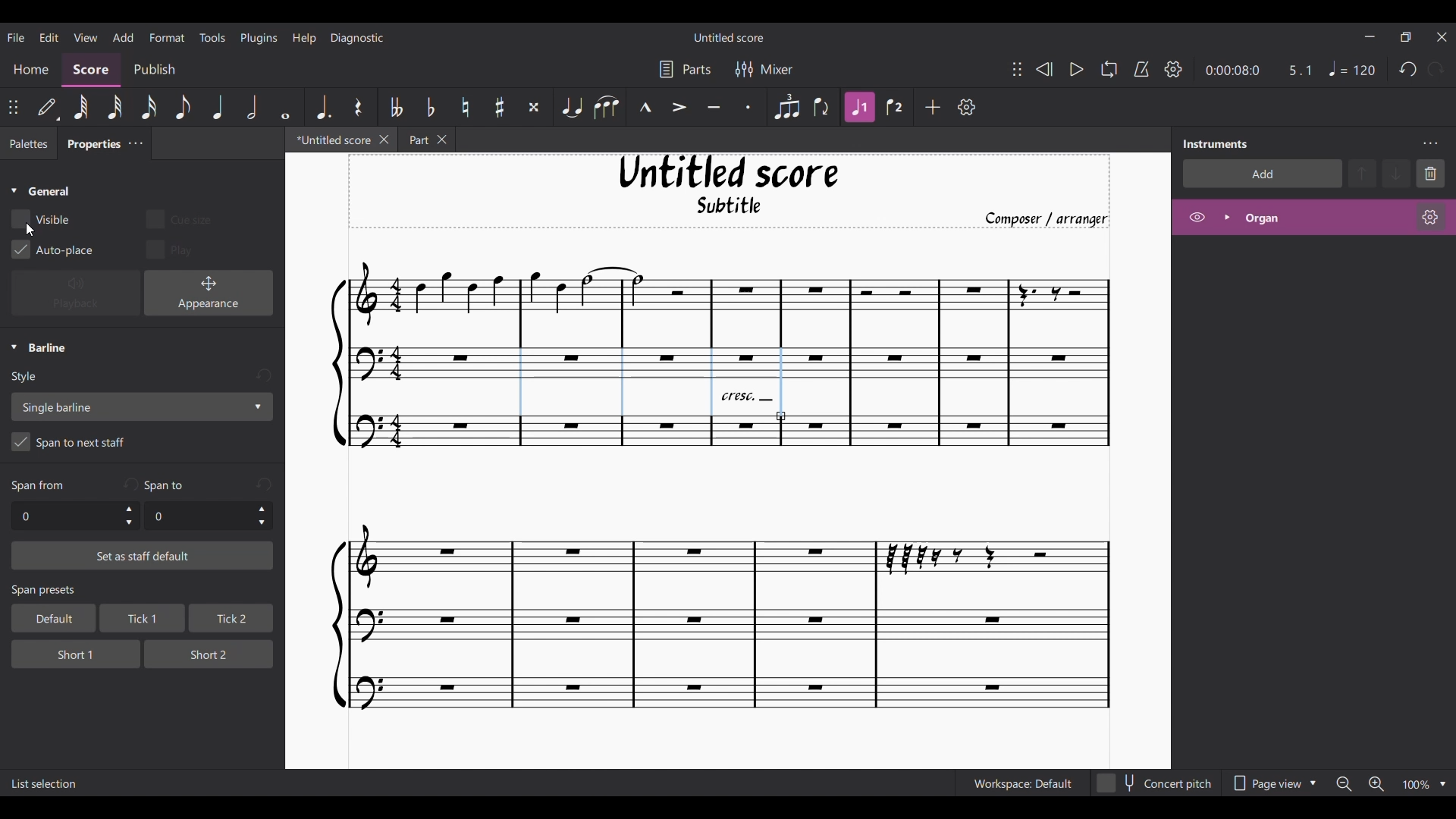 Image resolution: width=1456 pixels, height=819 pixels. I want to click on Add instrument, so click(1263, 173).